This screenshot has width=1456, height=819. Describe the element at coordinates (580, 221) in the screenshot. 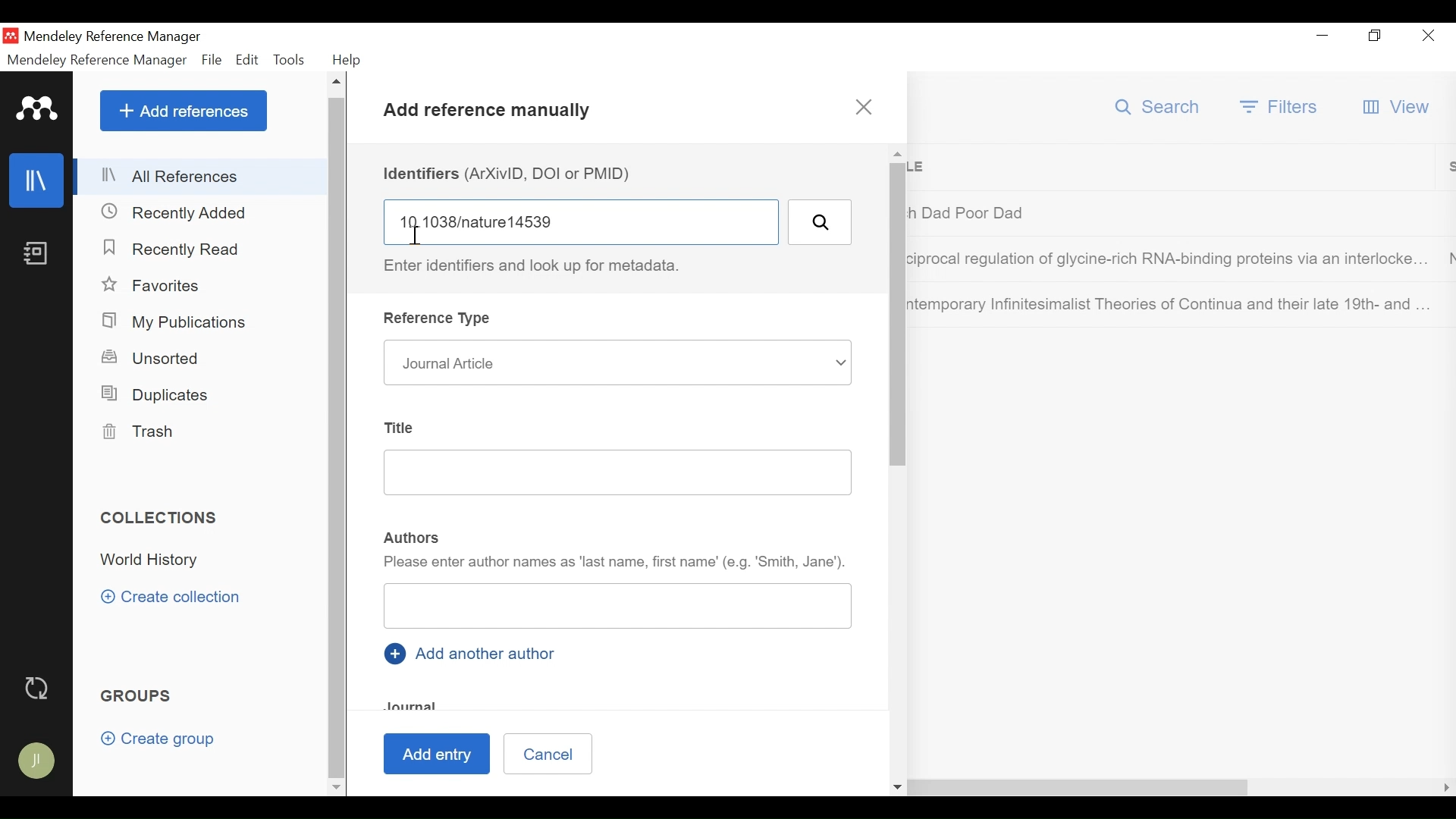

I see `Identifiers (DOI ArXivID or PMID) Field` at that location.